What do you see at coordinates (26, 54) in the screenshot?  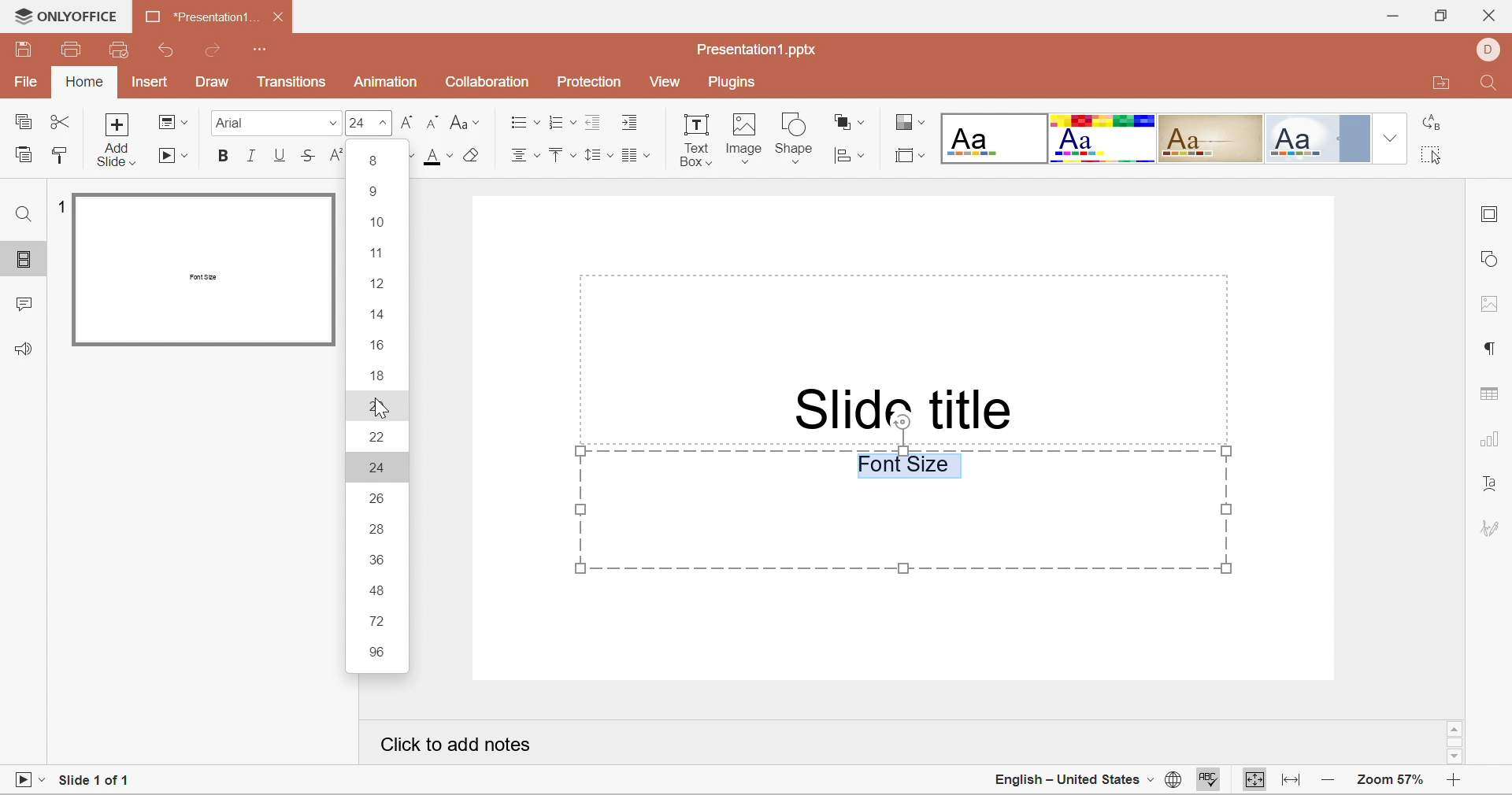 I see `Save` at bounding box center [26, 54].